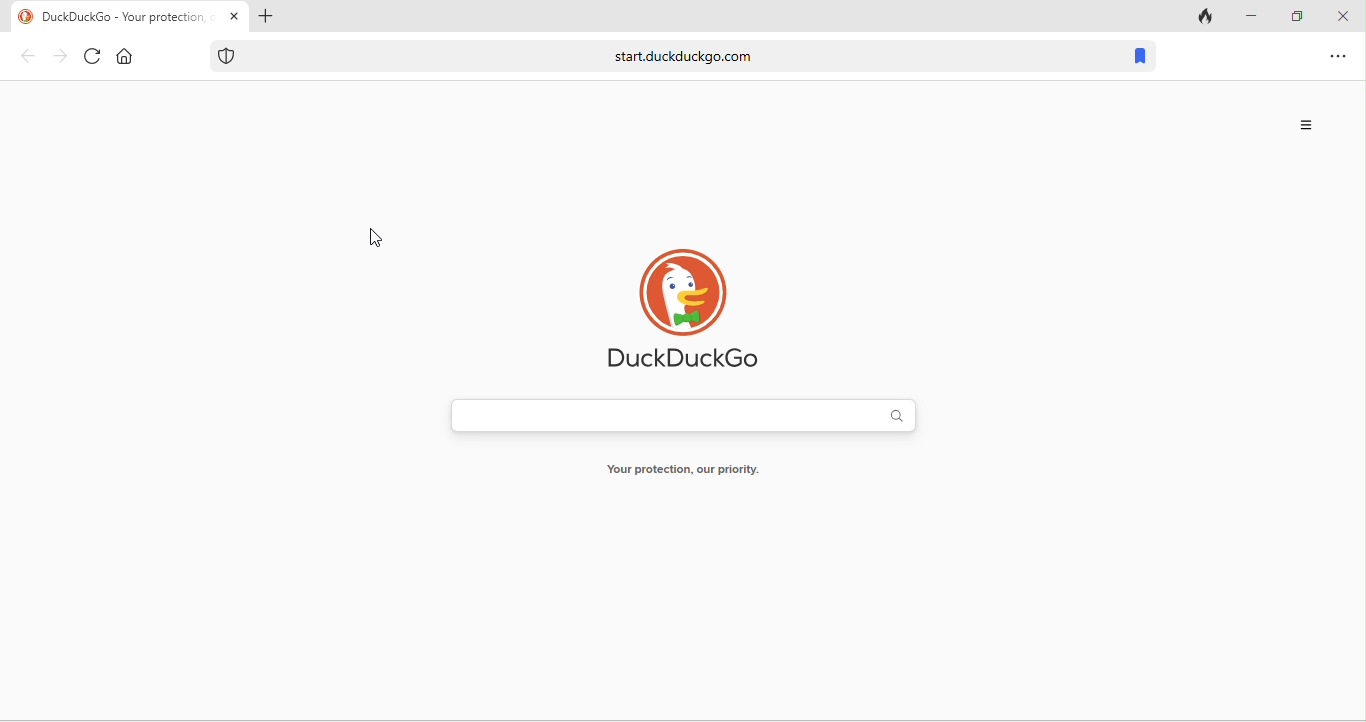 The width and height of the screenshot is (1366, 722). What do you see at coordinates (131, 17) in the screenshot?
I see `title` at bounding box center [131, 17].